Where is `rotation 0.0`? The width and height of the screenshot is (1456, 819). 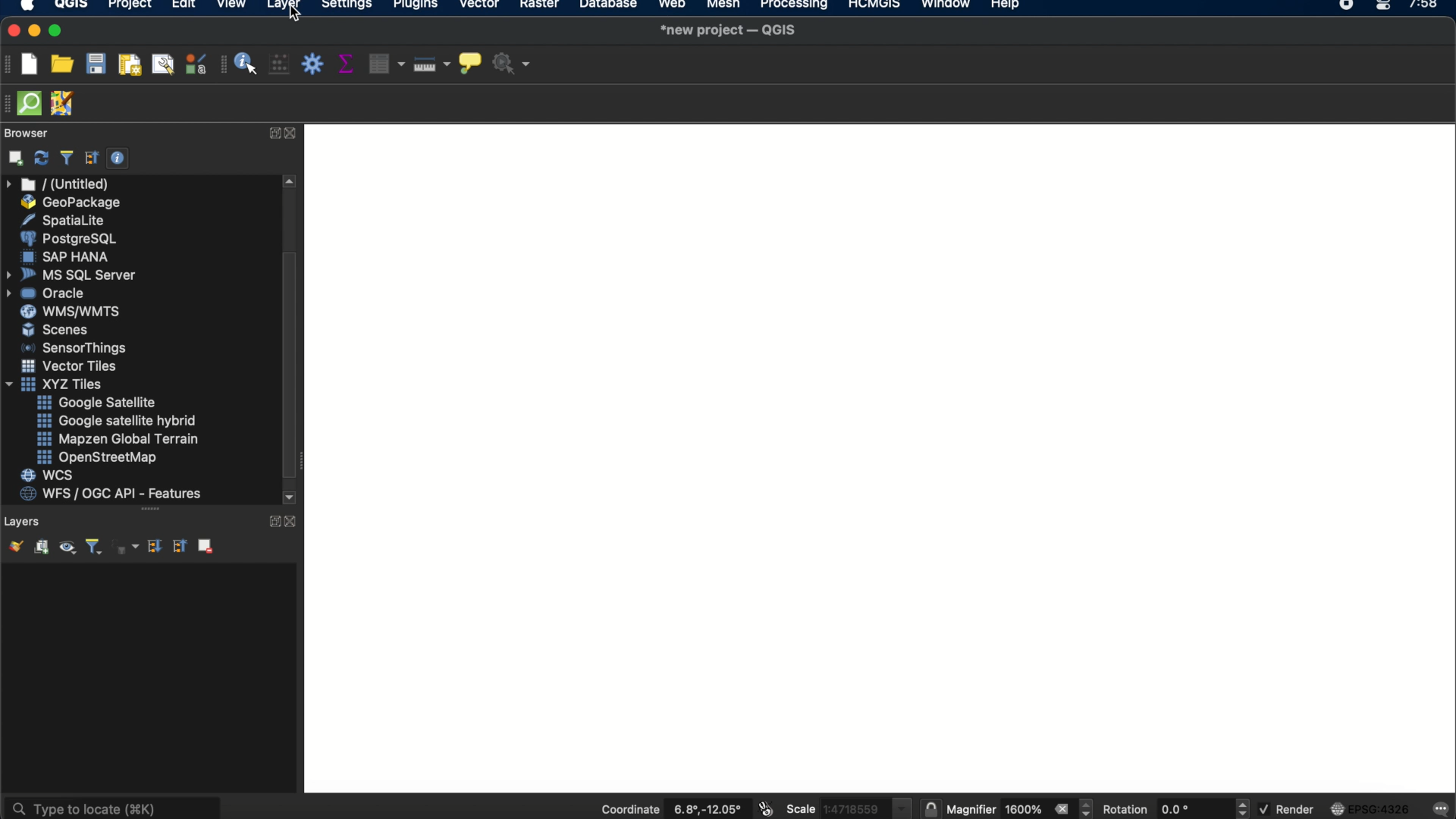
rotation 0.0 is located at coordinates (1175, 808).